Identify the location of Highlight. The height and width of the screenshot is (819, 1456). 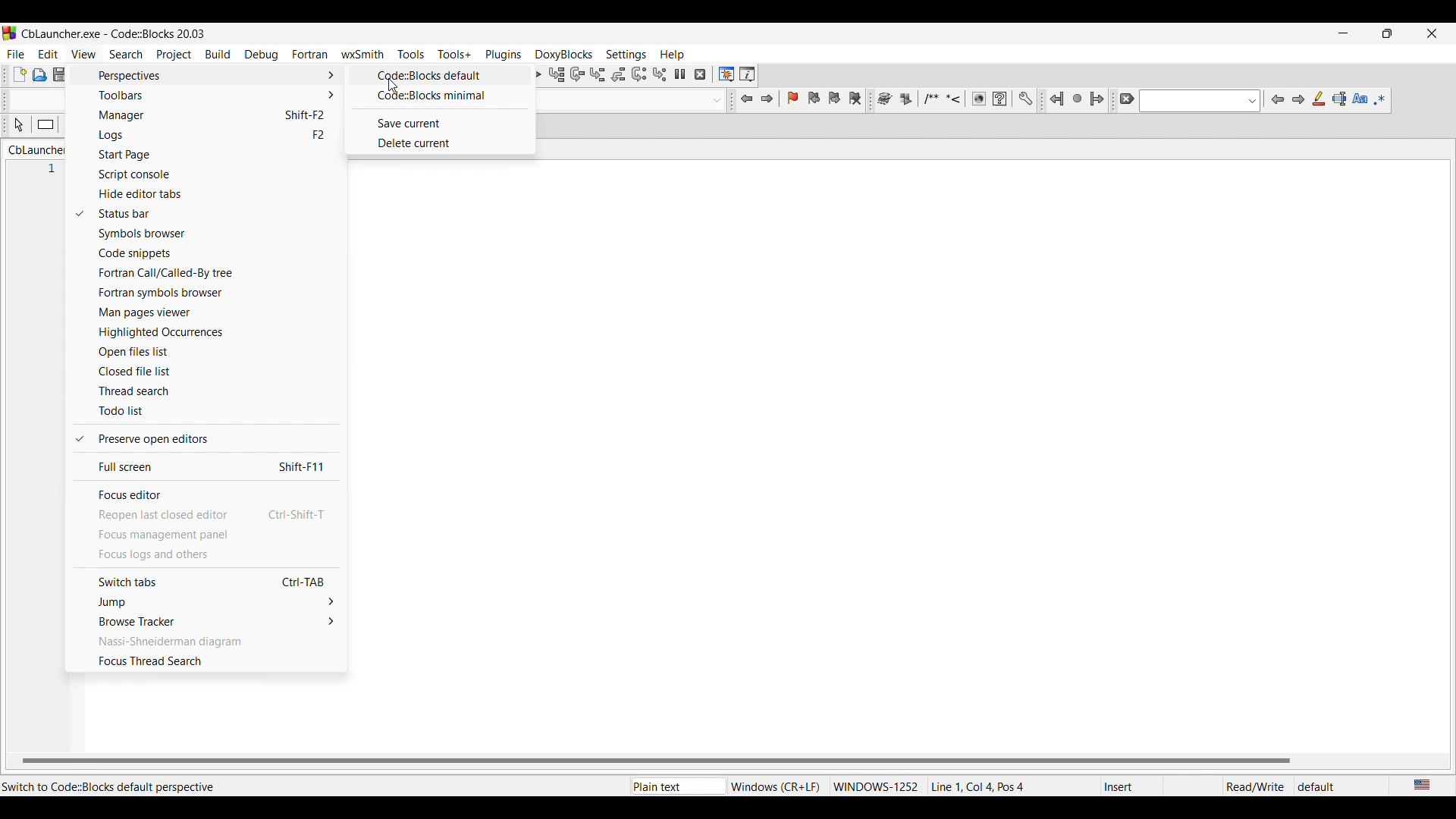
(1319, 99).